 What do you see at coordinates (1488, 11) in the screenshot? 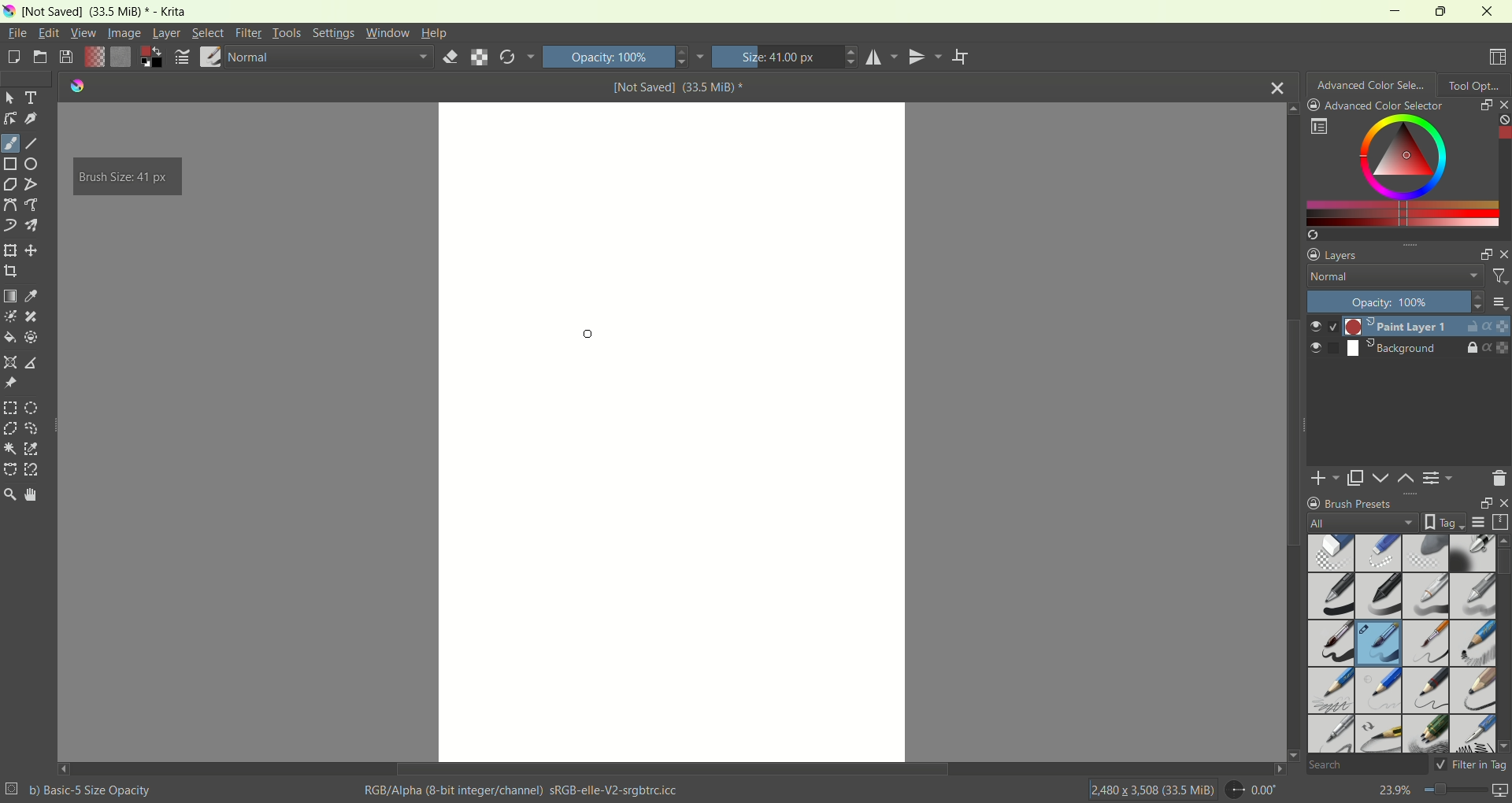
I see `close` at bounding box center [1488, 11].